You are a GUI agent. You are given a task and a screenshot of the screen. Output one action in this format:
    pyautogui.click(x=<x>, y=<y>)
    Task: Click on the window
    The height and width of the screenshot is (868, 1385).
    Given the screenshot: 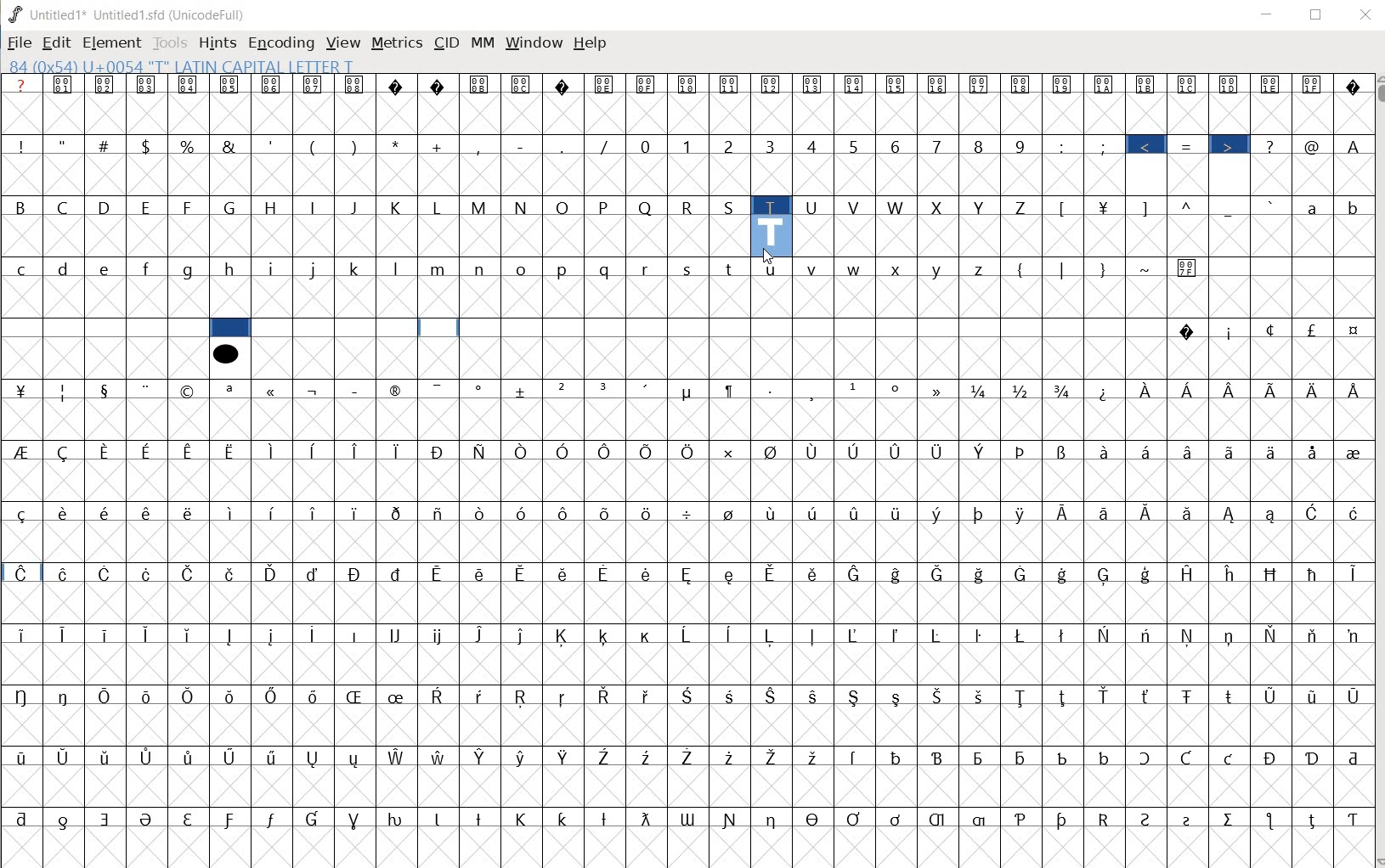 What is the action you would take?
    pyautogui.click(x=533, y=44)
    